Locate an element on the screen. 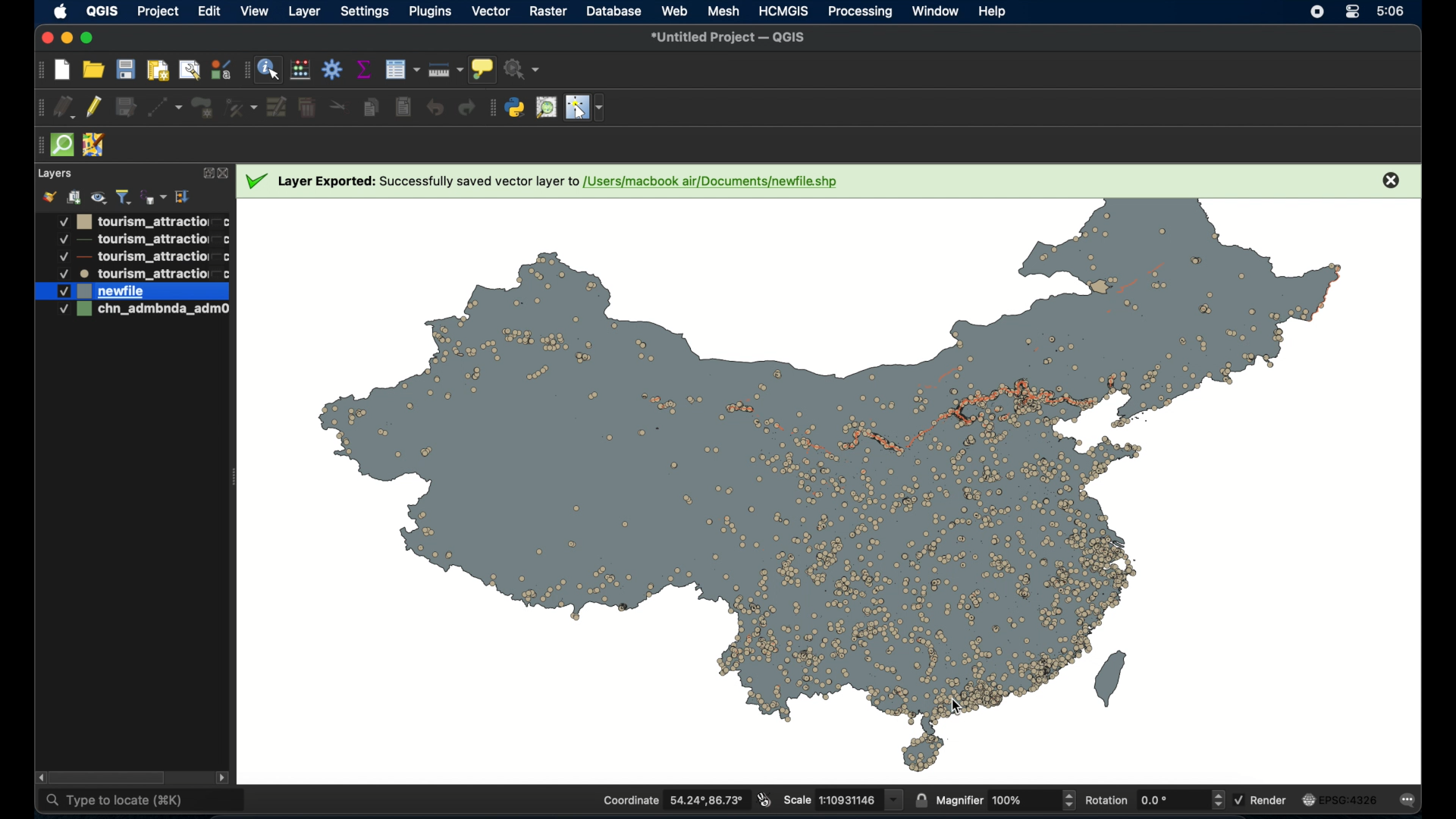  view is located at coordinates (256, 12).